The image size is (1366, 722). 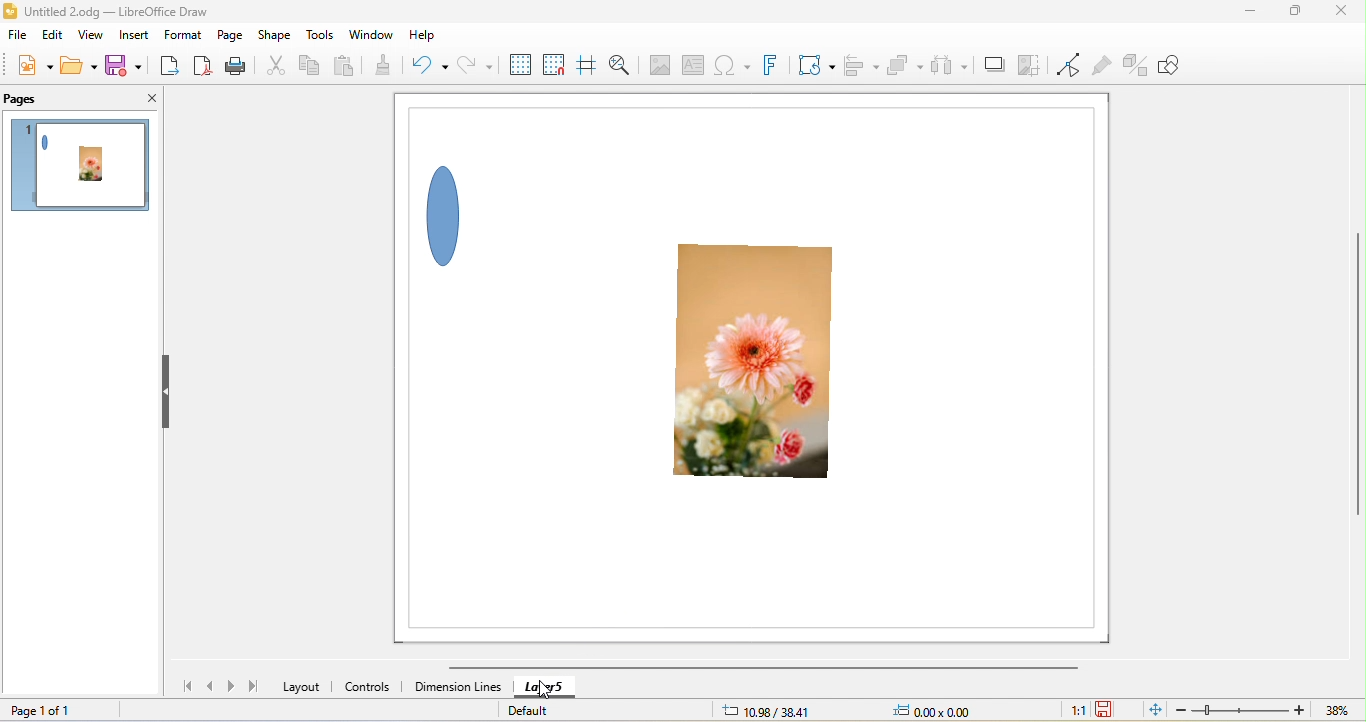 What do you see at coordinates (277, 34) in the screenshot?
I see `shape ` at bounding box center [277, 34].